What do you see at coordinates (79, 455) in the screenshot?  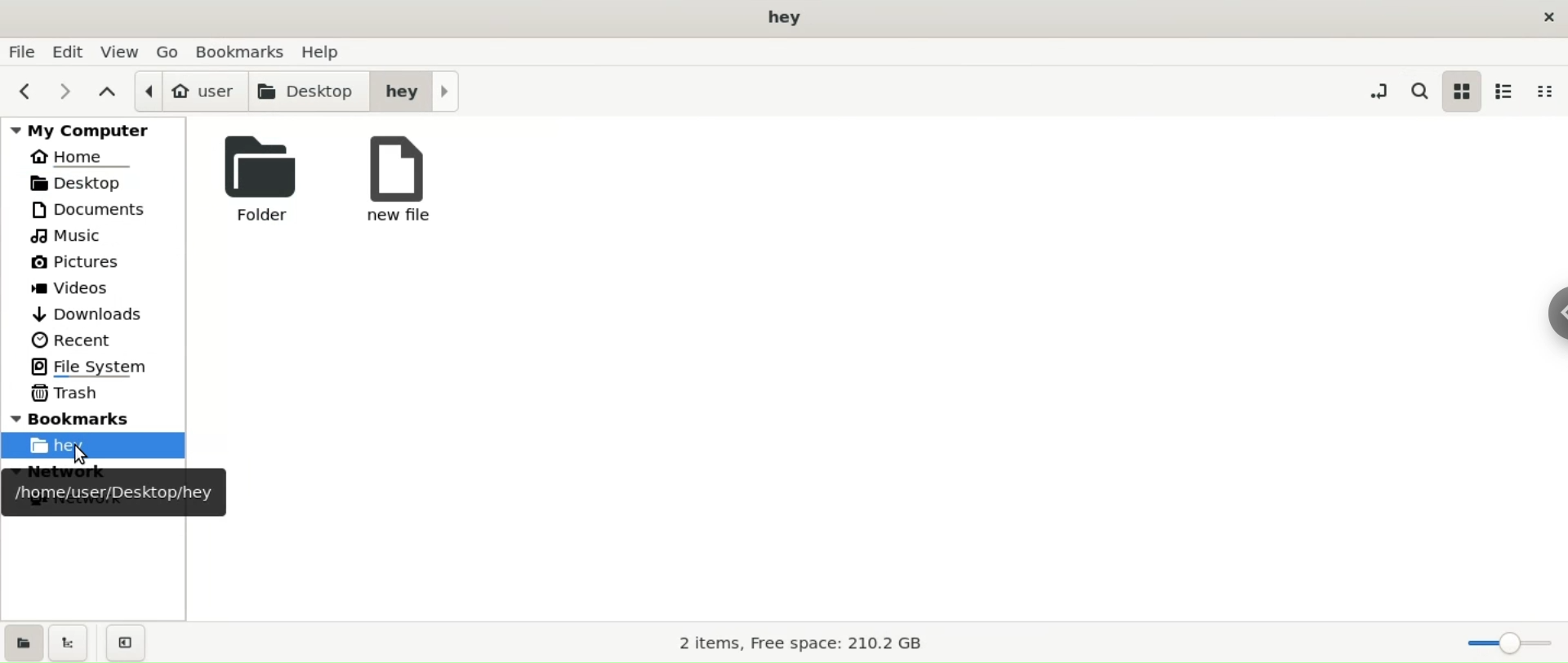 I see `cursor` at bounding box center [79, 455].